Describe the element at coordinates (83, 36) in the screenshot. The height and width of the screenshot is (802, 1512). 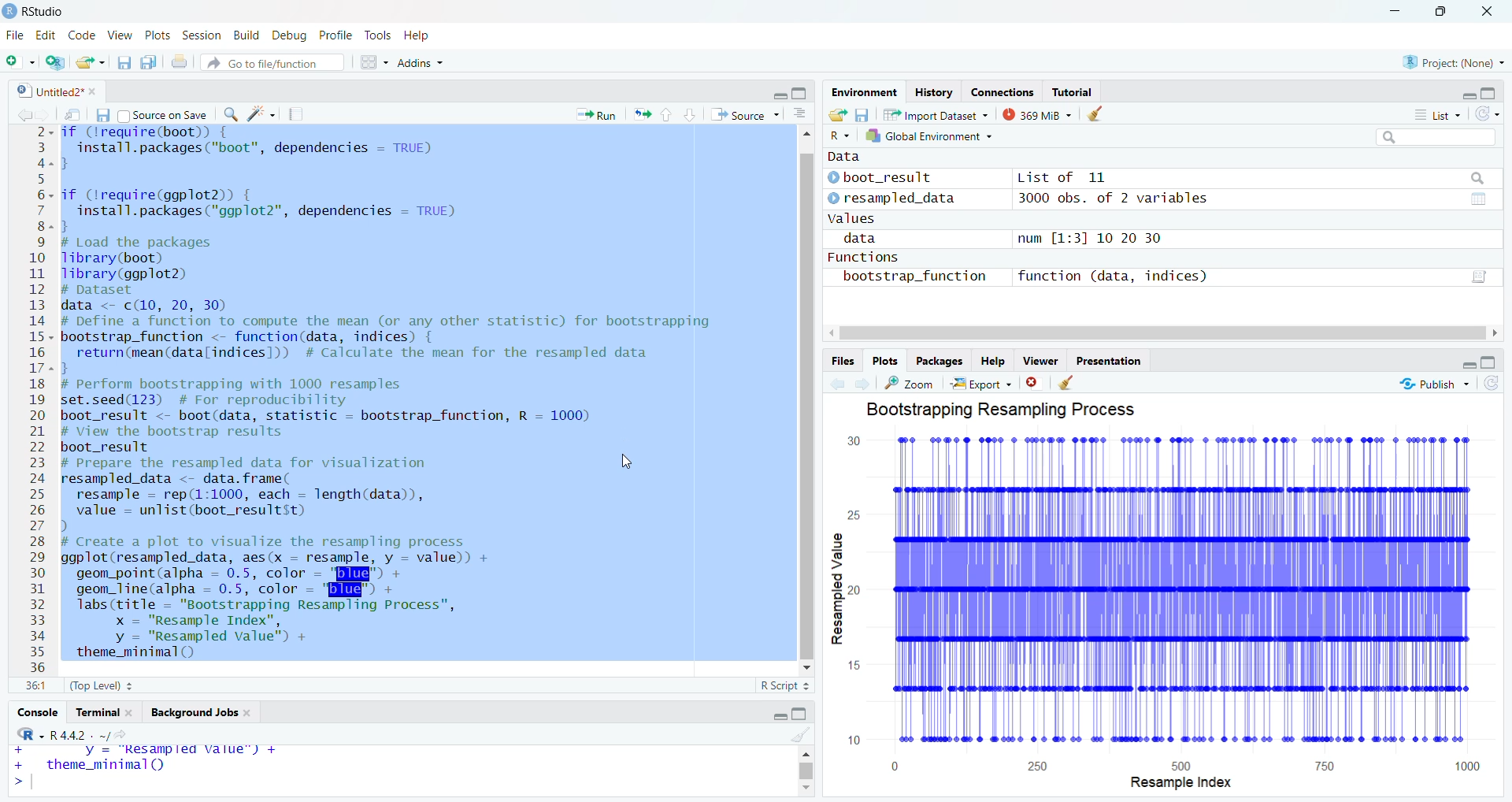
I see `code` at that location.